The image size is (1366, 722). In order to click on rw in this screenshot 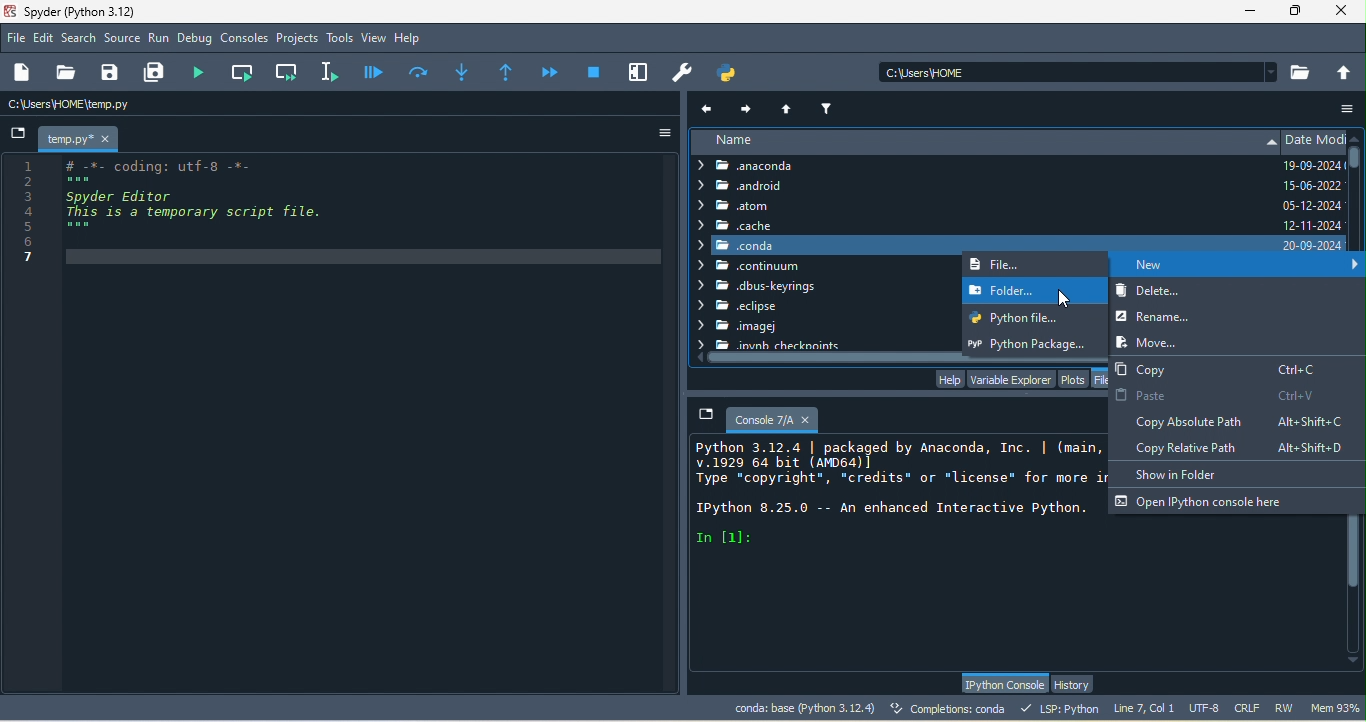, I will do `click(1286, 708)`.